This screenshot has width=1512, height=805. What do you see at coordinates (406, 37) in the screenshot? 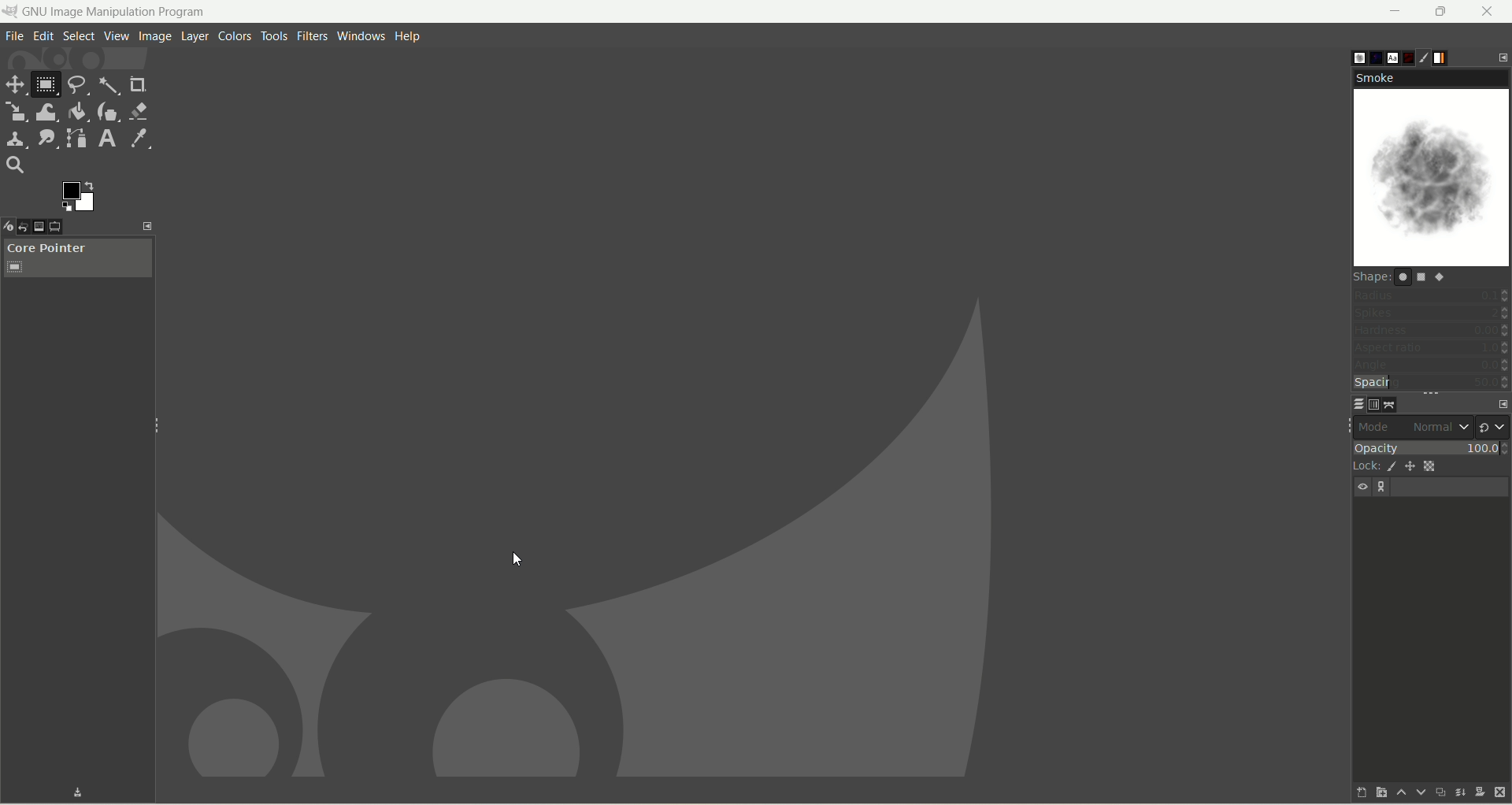
I see `help` at bounding box center [406, 37].